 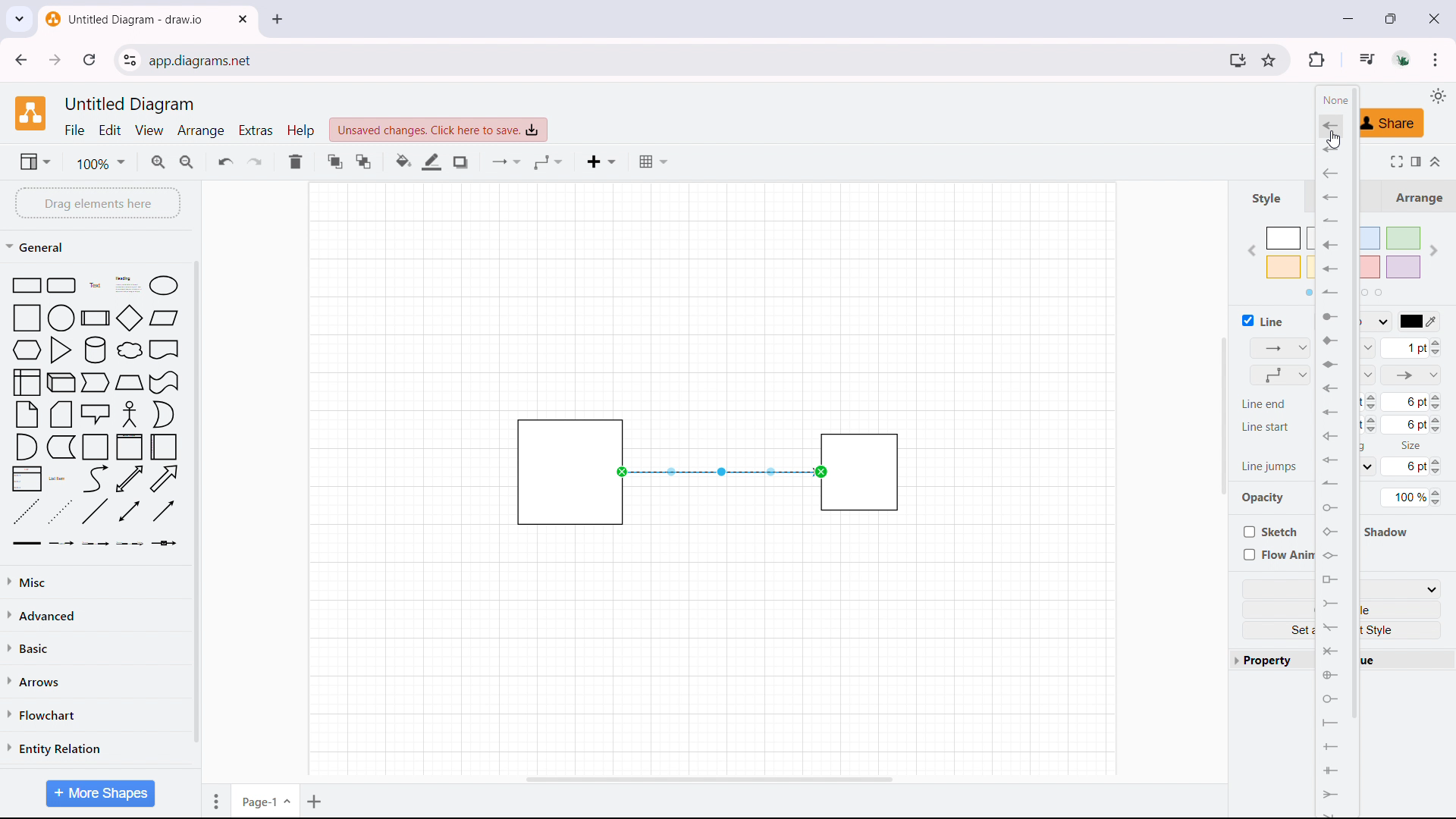 What do you see at coordinates (226, 161) in the screenshot?
I see `undo` at bounding box center [226, 161].